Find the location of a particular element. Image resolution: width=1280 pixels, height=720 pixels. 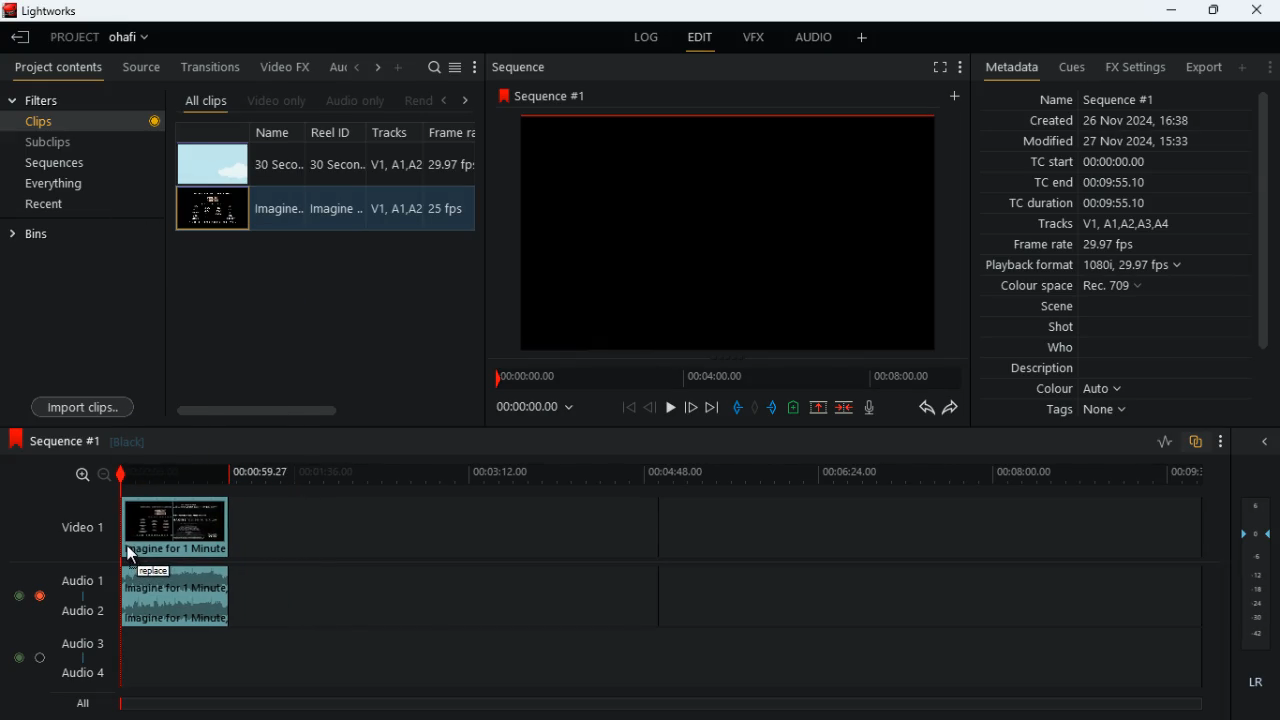

black is located at coordinates (130, 443).